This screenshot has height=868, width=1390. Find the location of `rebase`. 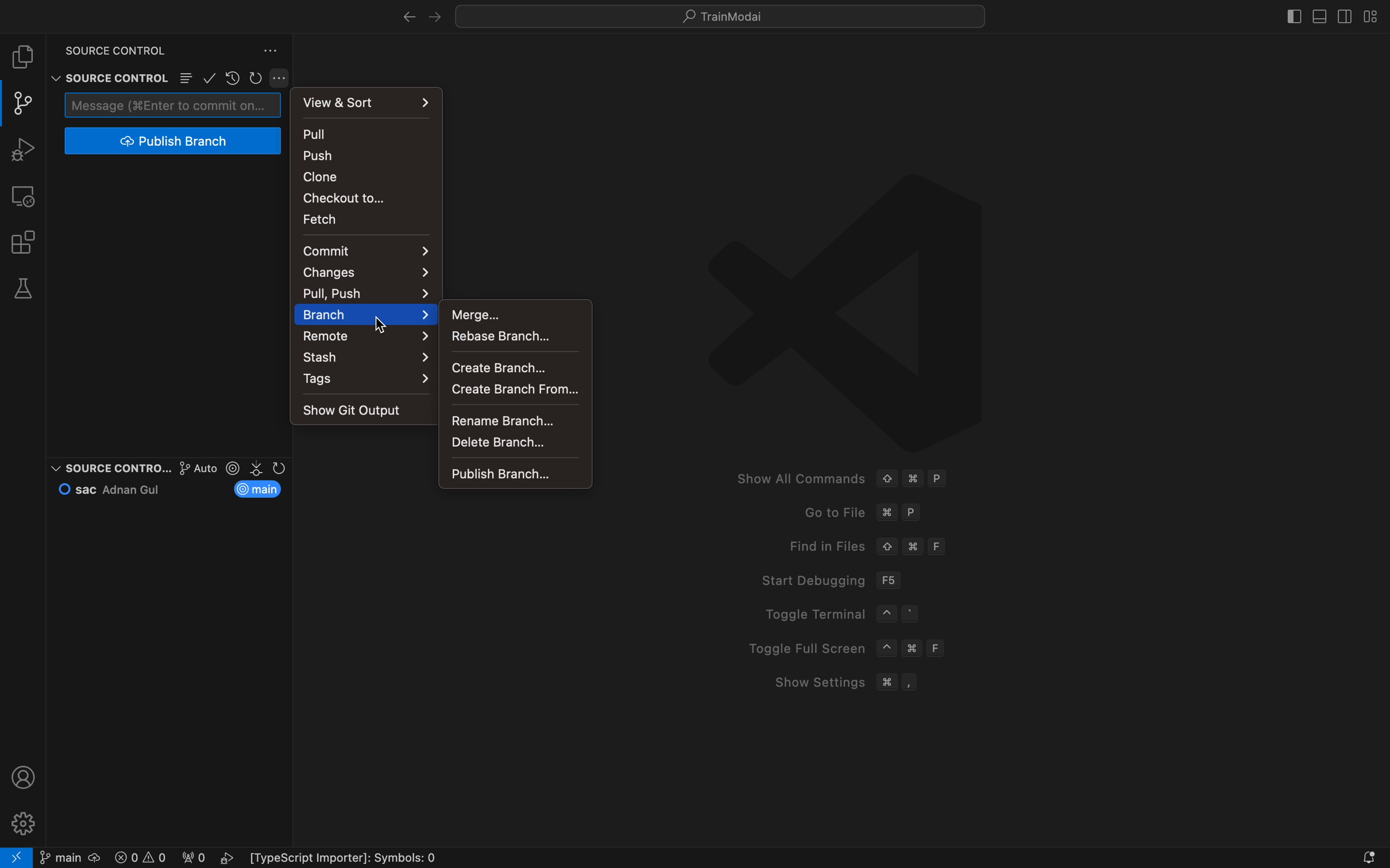

rebase is located at coordinates (511, 336).